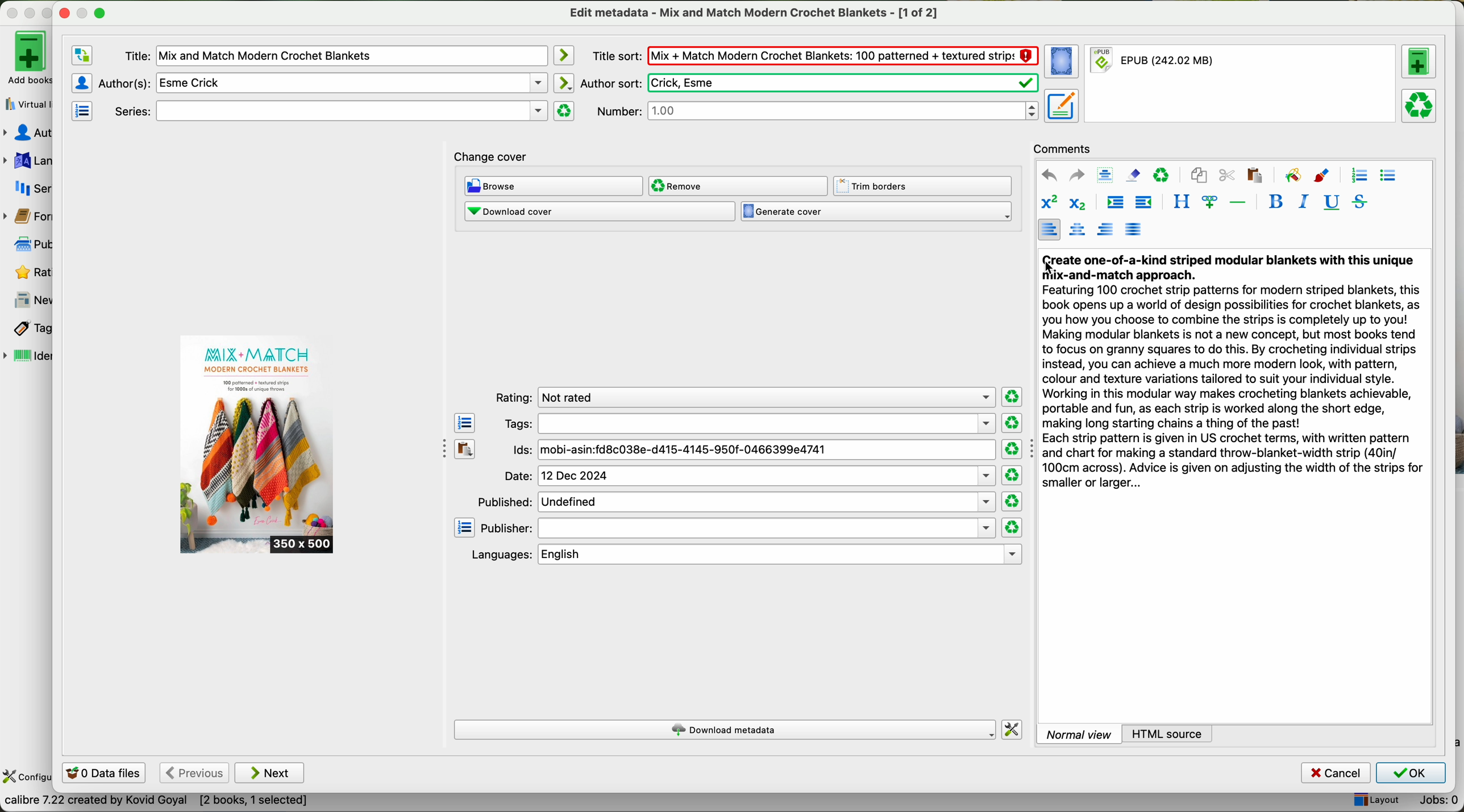  Describe the element at coordinates (1292, 174) in the screenshot. I see `background color` at that location.